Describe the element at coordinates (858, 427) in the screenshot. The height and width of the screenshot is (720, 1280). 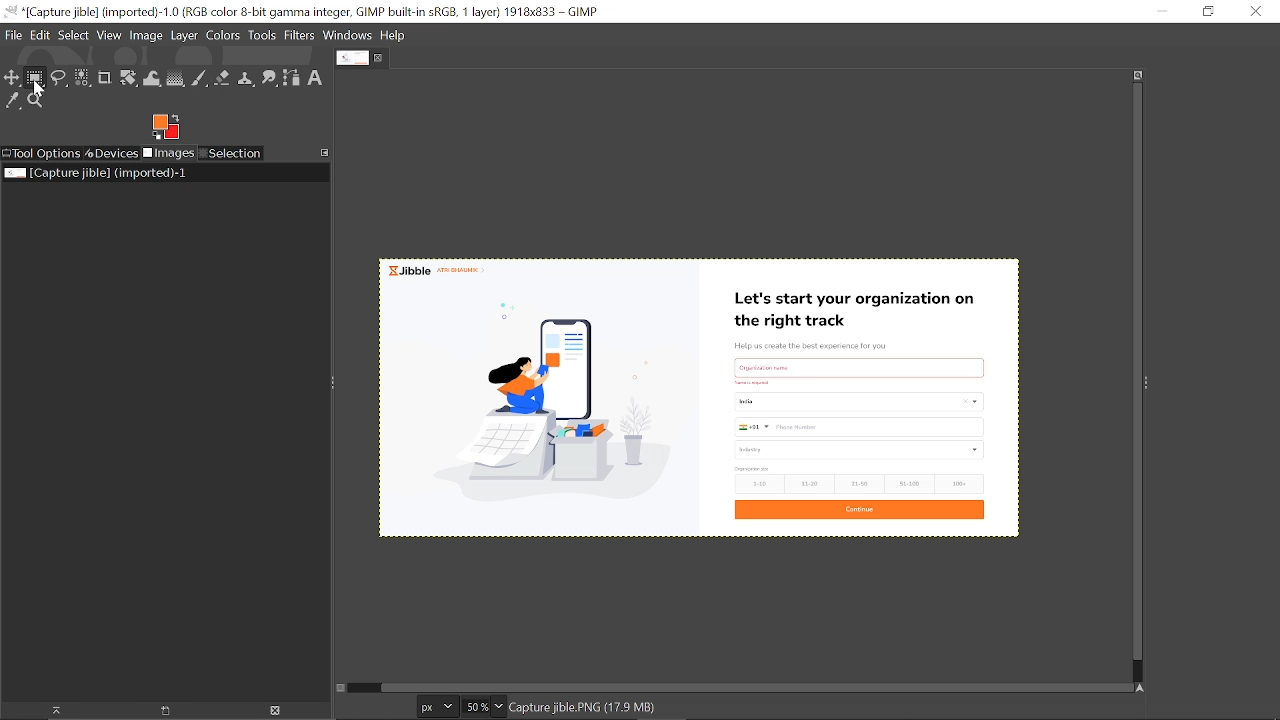
I see `Phone Number` at that location.